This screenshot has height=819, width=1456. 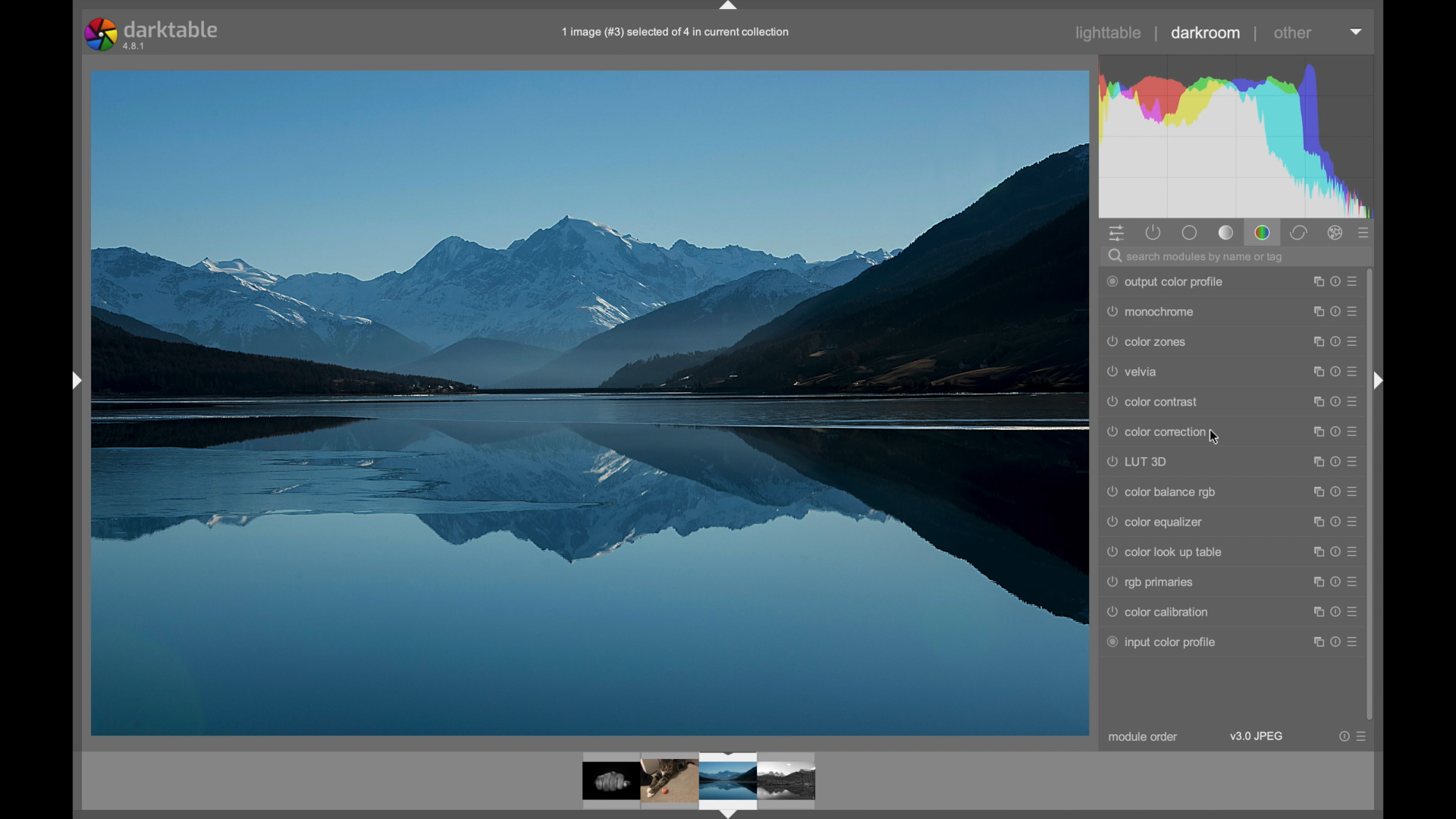 I want to click on more options, so click(x=1335, y=552).